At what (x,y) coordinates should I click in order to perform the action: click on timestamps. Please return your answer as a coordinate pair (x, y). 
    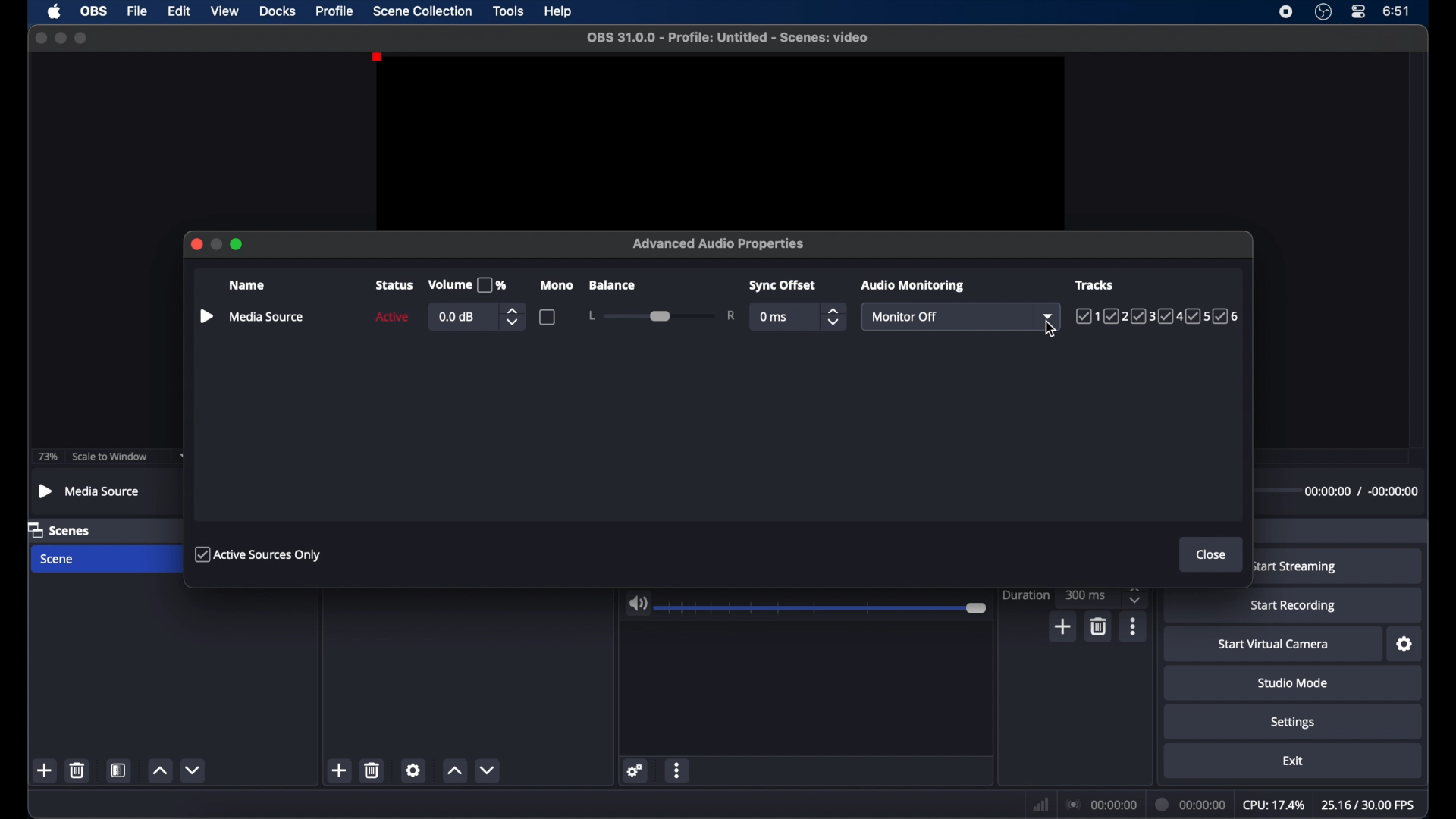
    Looking at the image, I should click on (1361, 492).